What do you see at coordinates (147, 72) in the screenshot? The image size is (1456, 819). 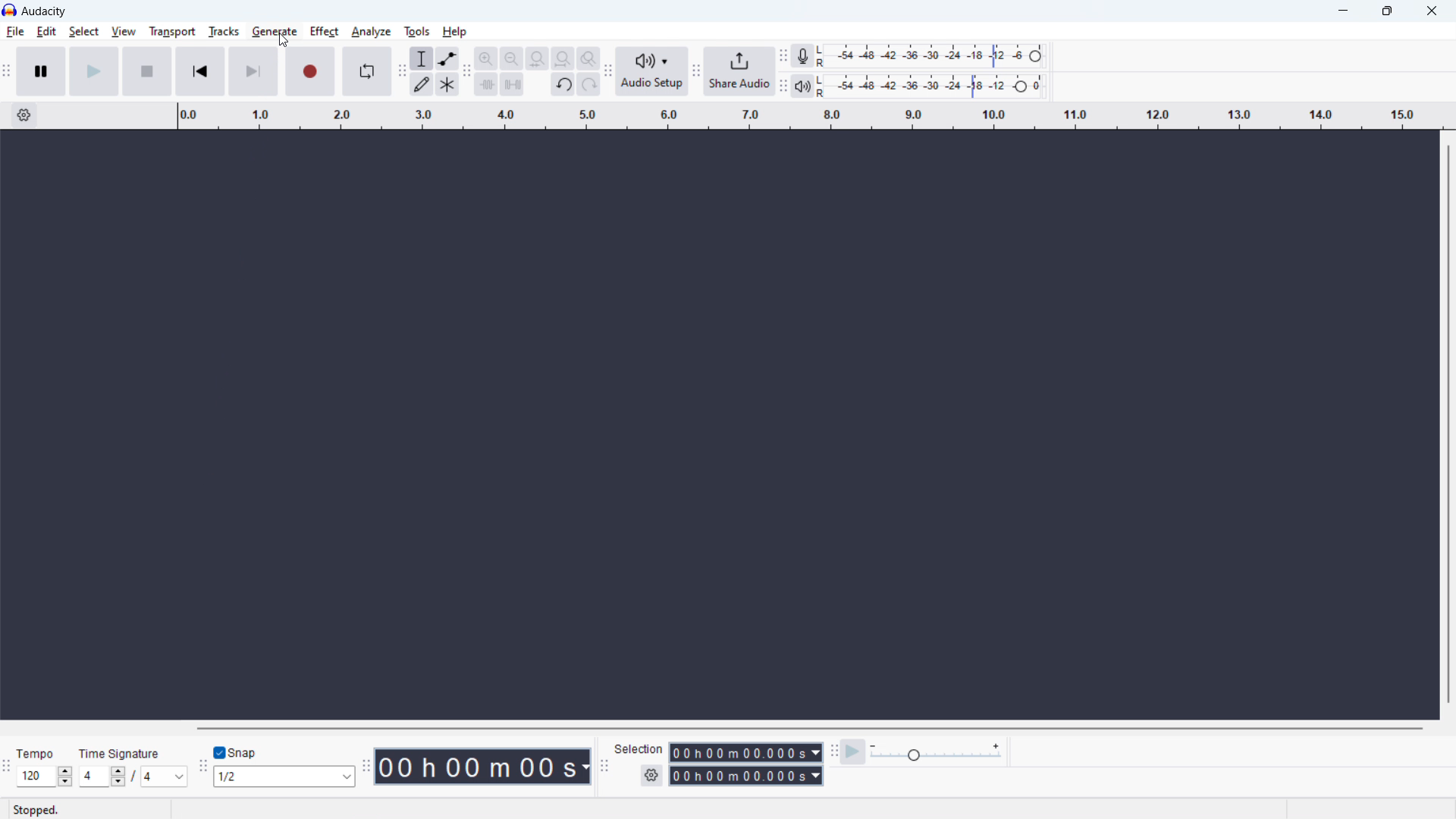 I see `stop` at bounding box center [147, 72].